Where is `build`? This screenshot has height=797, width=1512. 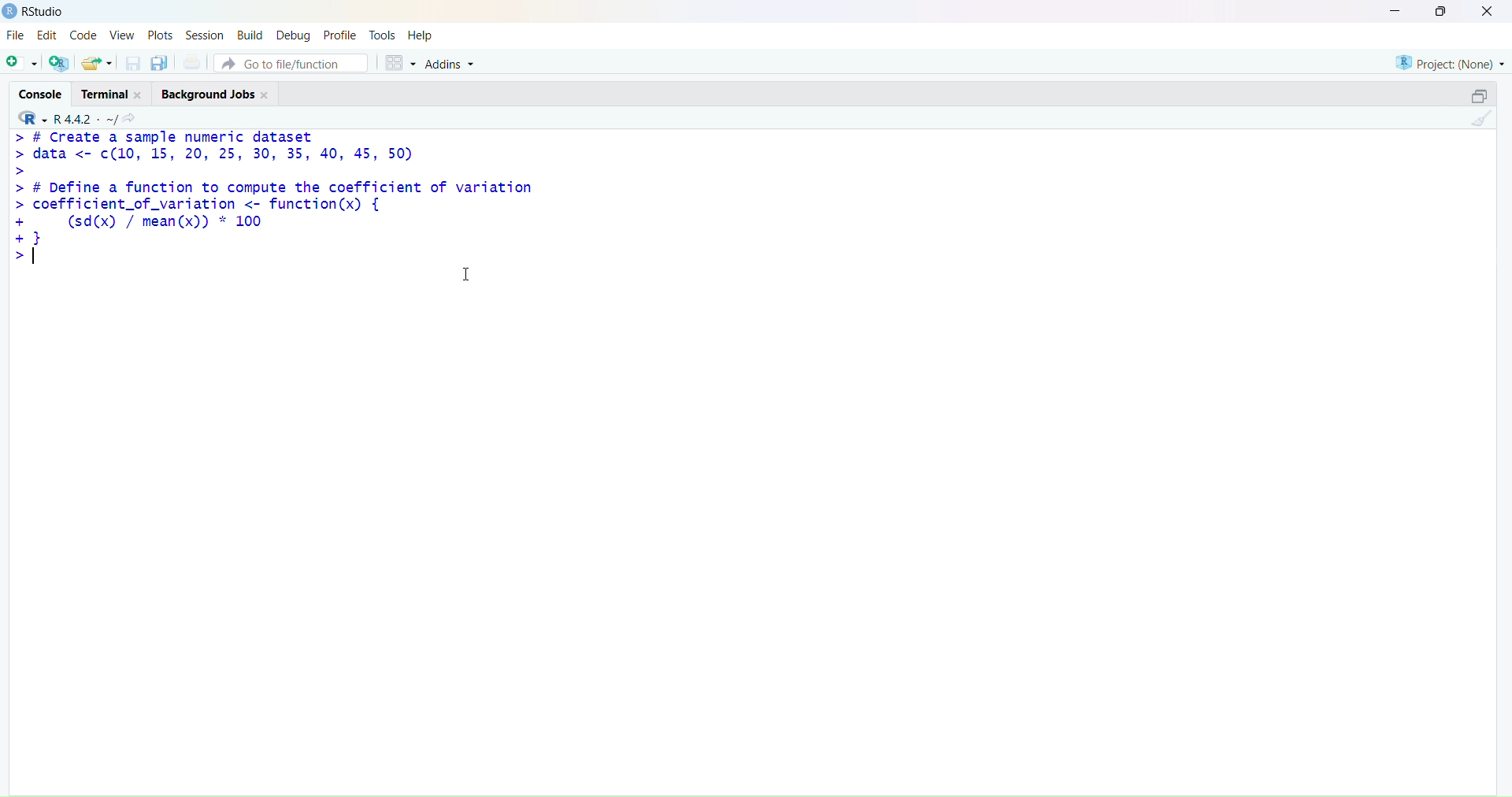 build is located at coordinates (250, 35).